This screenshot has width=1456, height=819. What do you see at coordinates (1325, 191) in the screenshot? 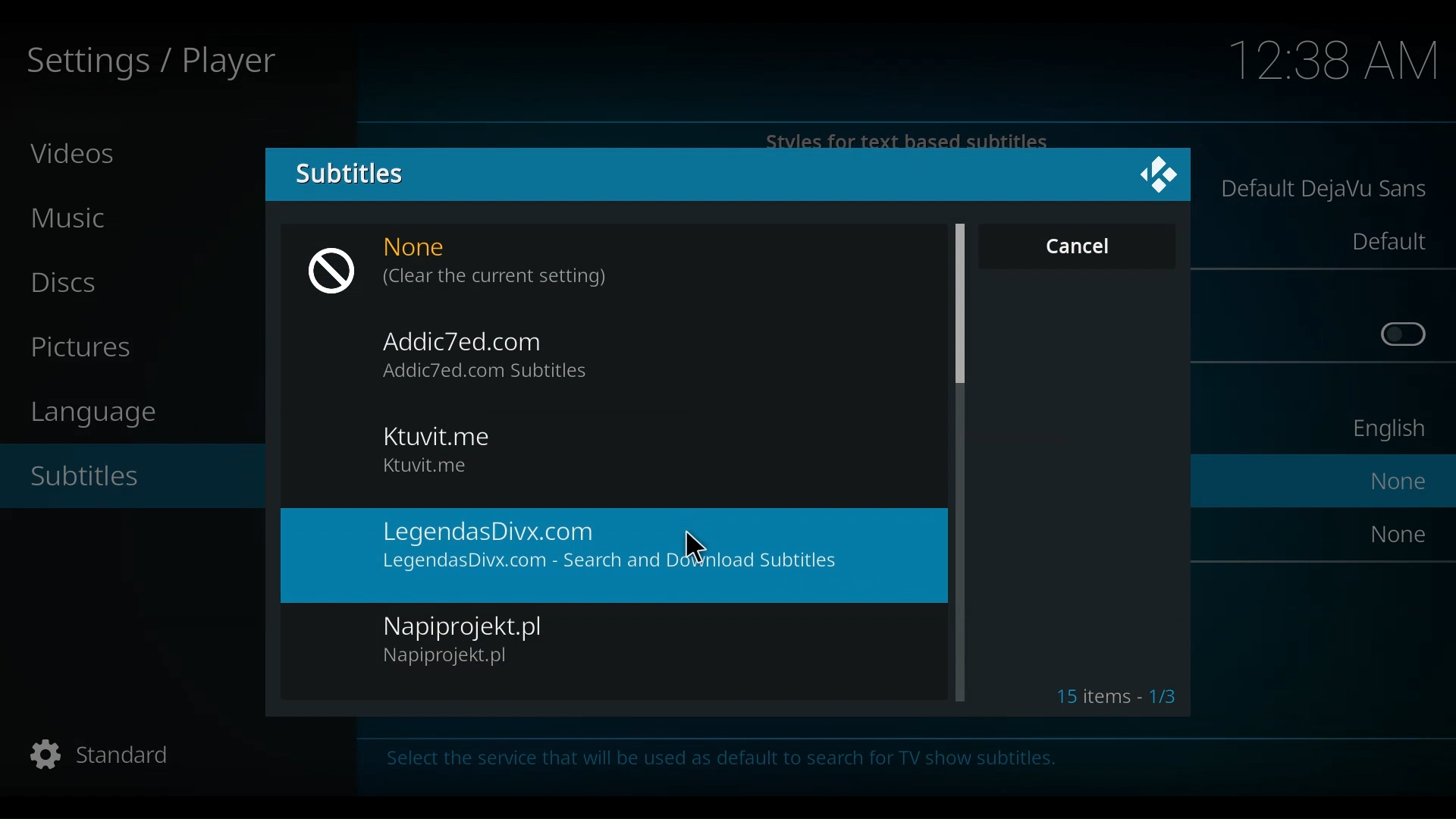
I see `Default DejaVu Sans` at bounding box center [1325, 191].